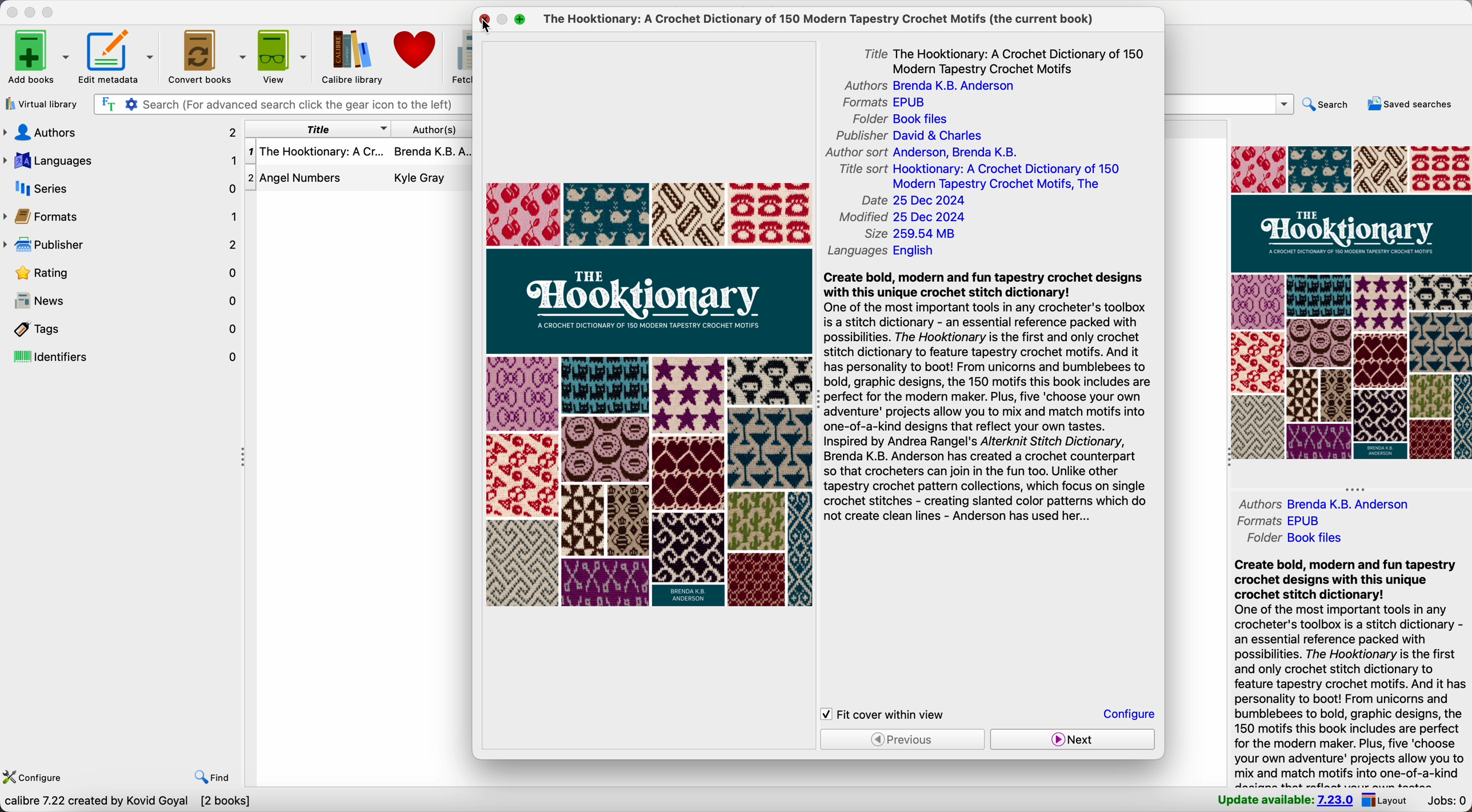  What do you see at coordinates (1413, 105) in the screenshot?
I see `saved searches` at bounding box center [1413, 105].